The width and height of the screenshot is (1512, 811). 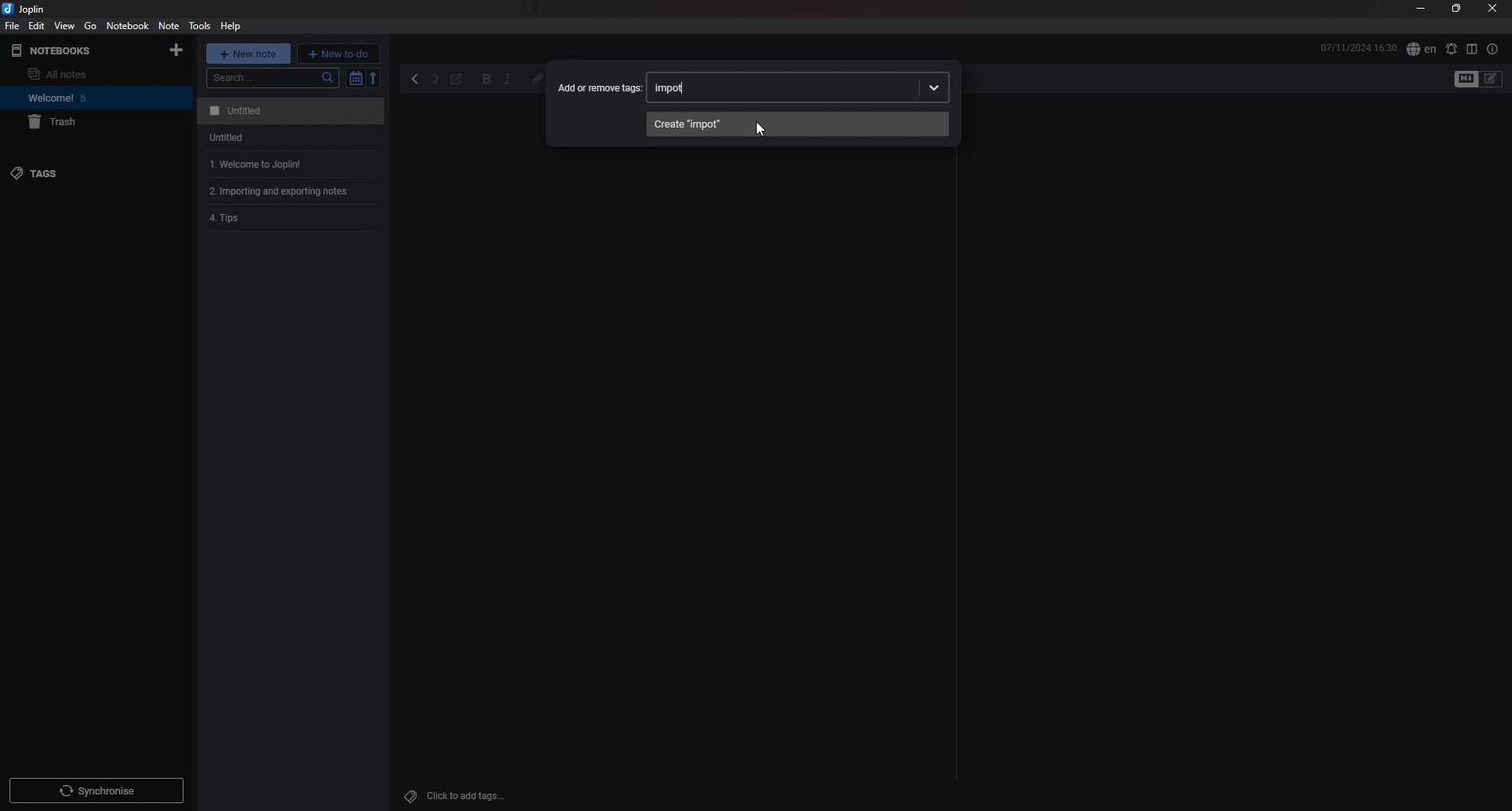 I want to click on bold, so click(x=487, y=80).